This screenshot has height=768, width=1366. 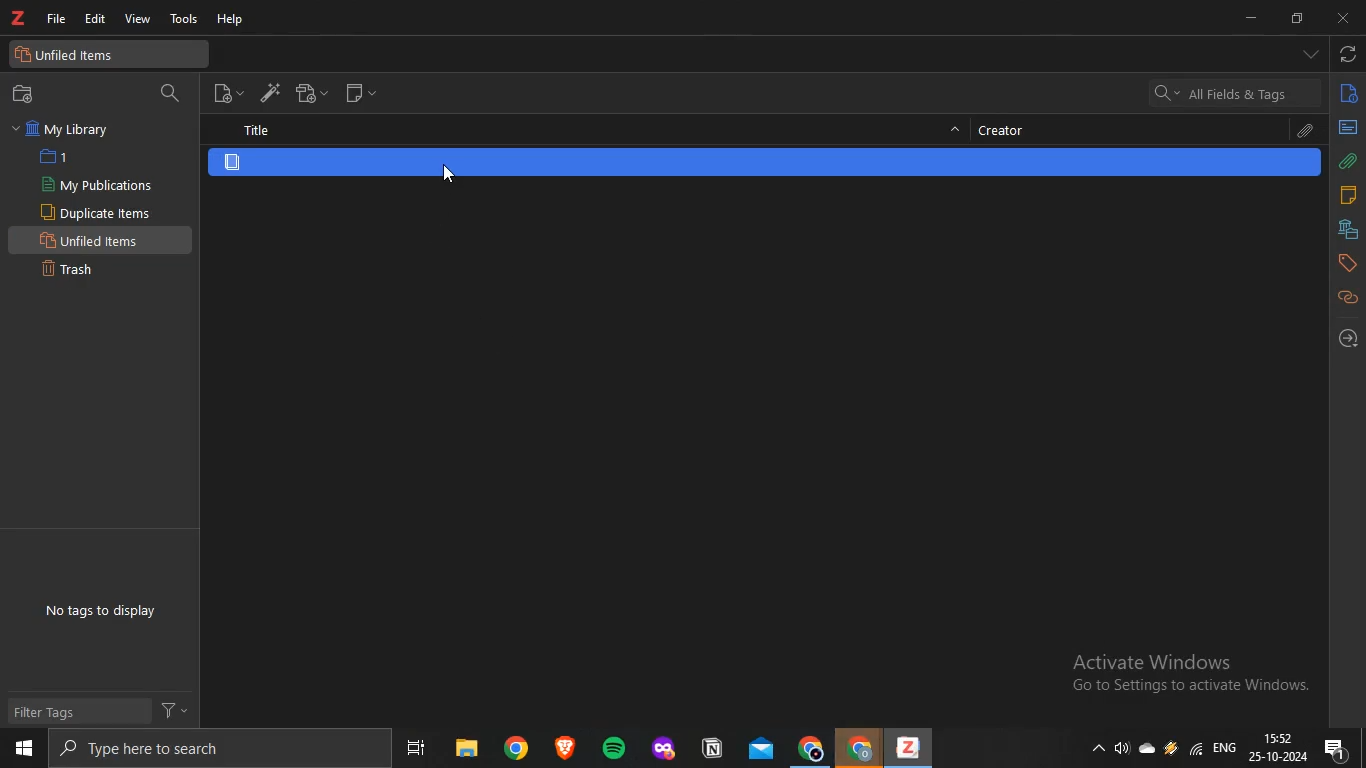 I want to click on drop down, so click(x=1311, y=54).